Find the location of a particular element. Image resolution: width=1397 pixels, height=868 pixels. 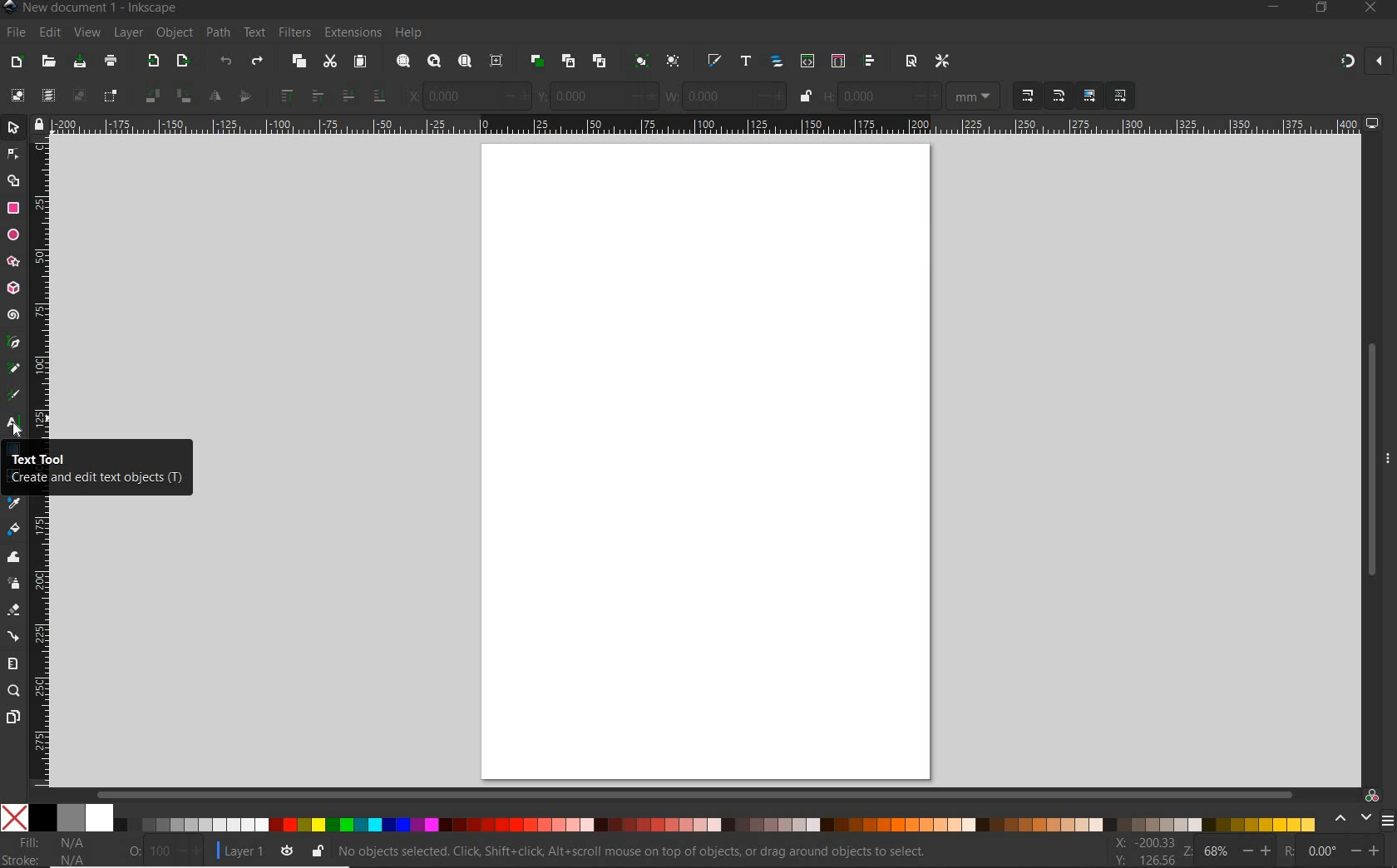

ruler is located at coordinates (705, 124).